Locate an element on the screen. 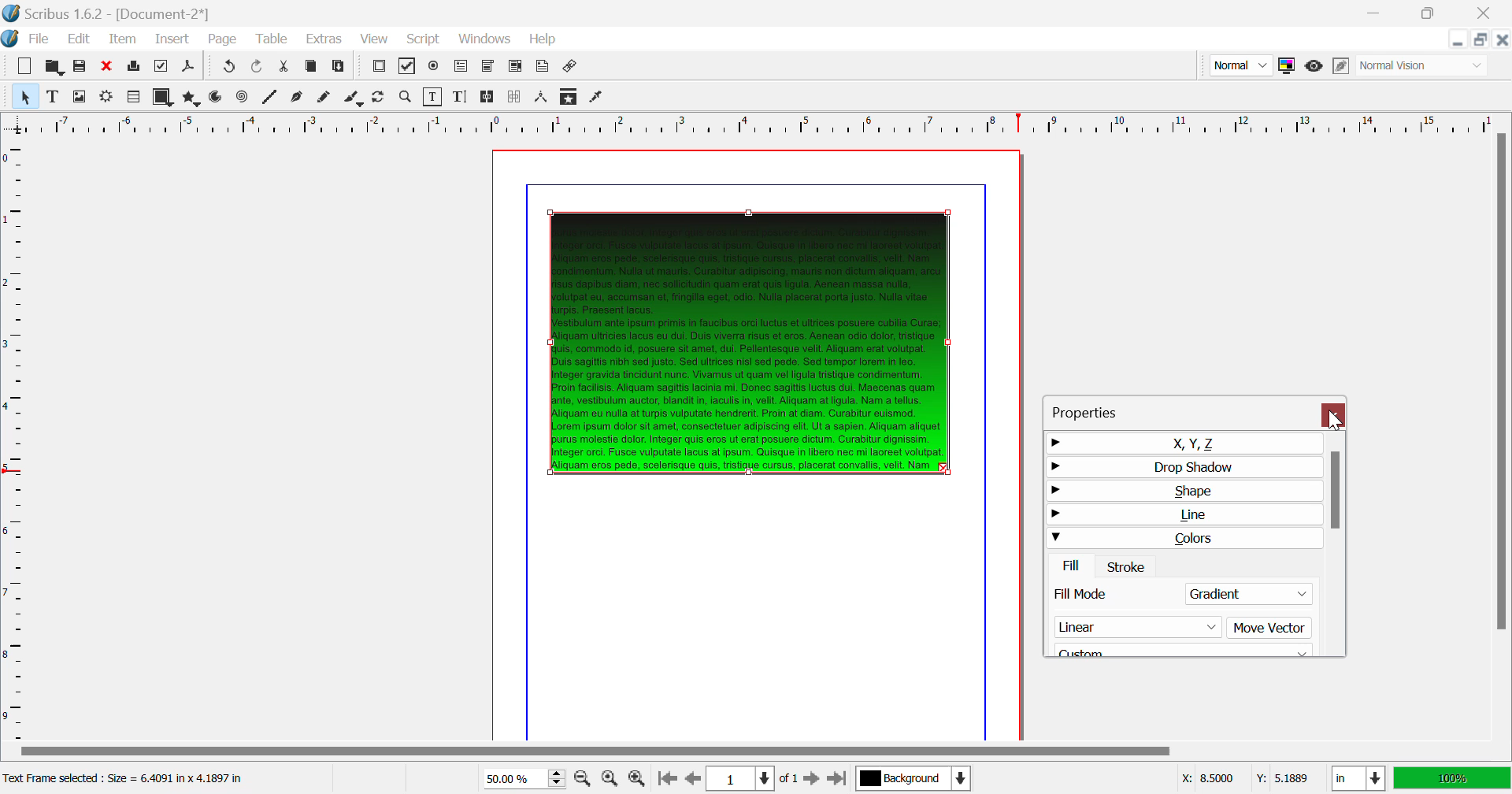  Minimize is located at coordinates (1482, 39).